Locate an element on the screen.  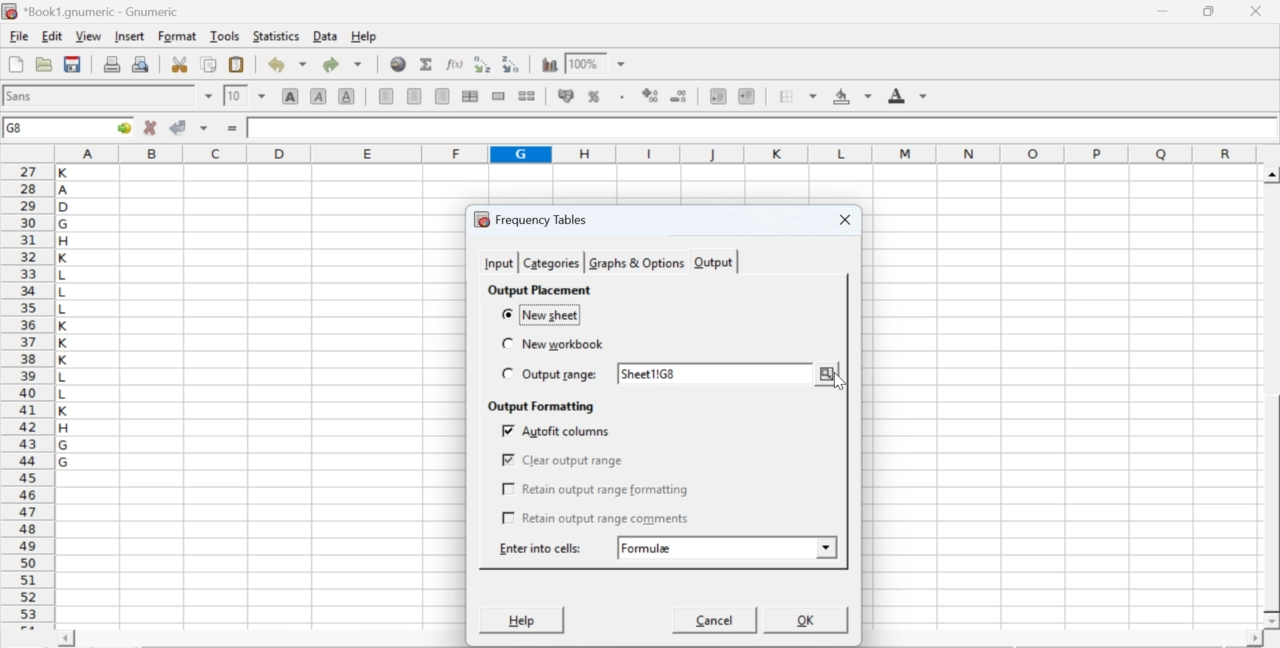
split merged ranges of cells is located at coordinates (526, 95).